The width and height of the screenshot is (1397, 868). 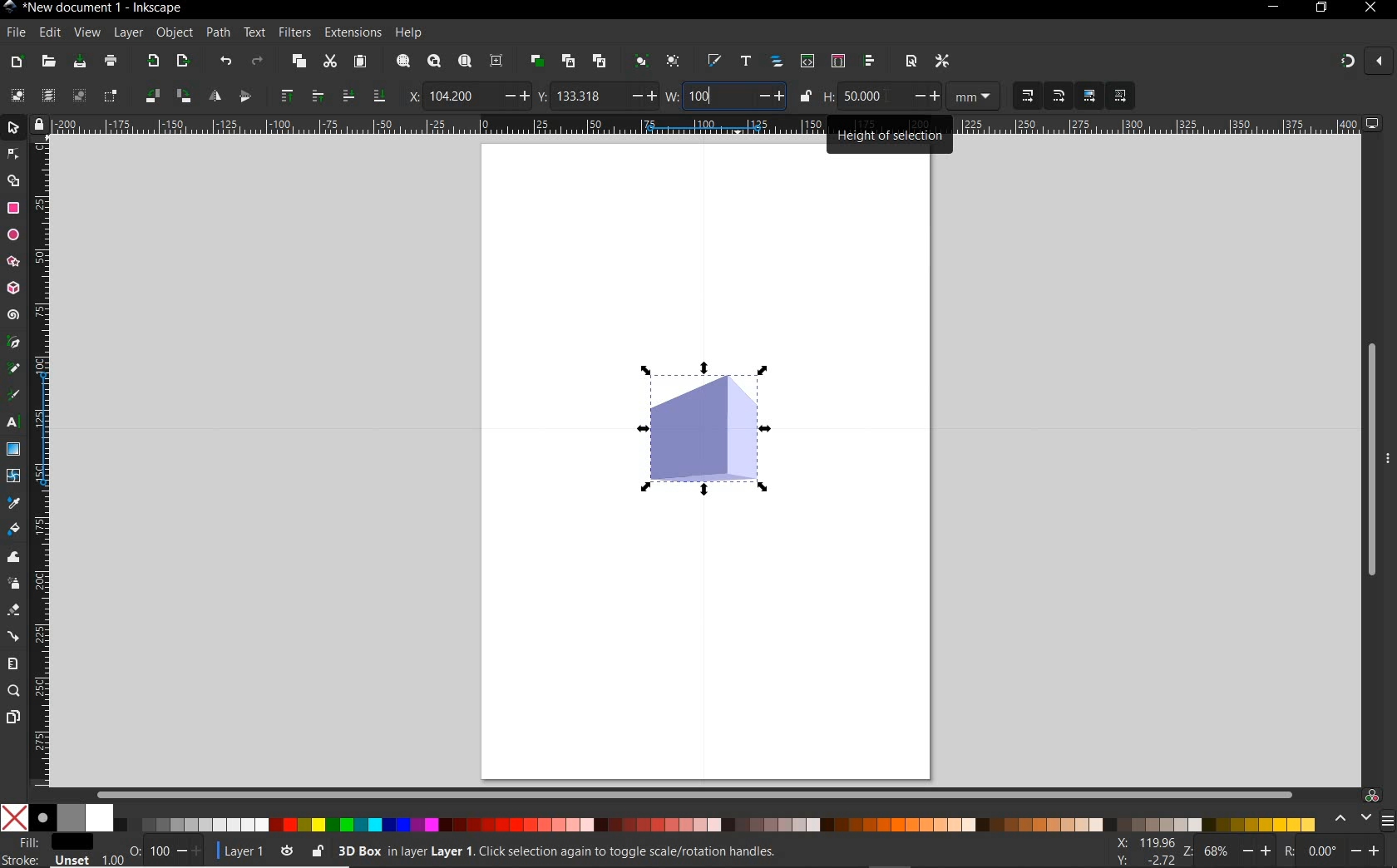 What do you see at coordinates (464, 60) in the screenshot?
I see `zoom page` at bounding box center [464, 60].